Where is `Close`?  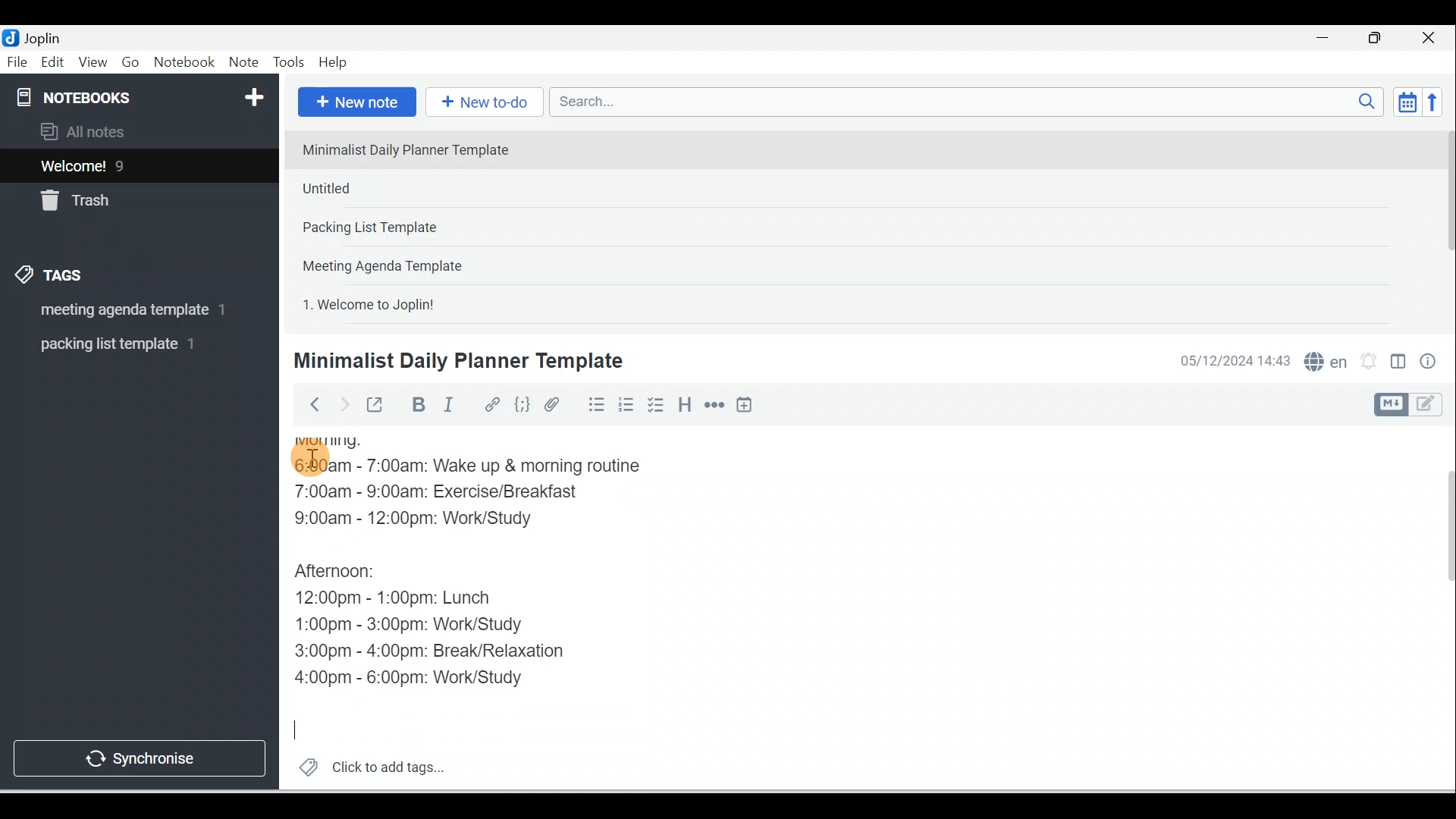 Close is located at coordinates (1432, 38).